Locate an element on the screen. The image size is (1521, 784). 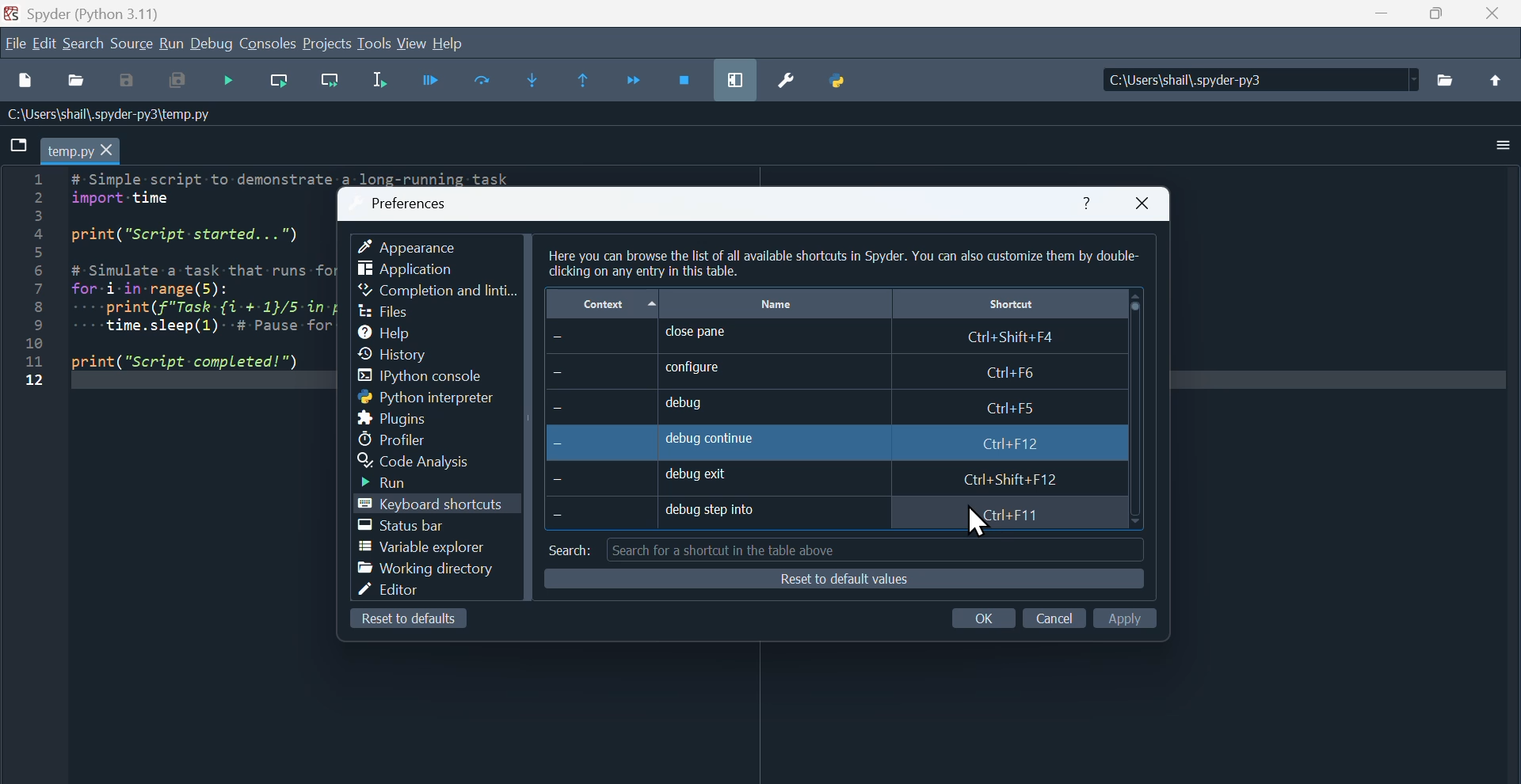
Upload file is located at coordinates (1501, 79).